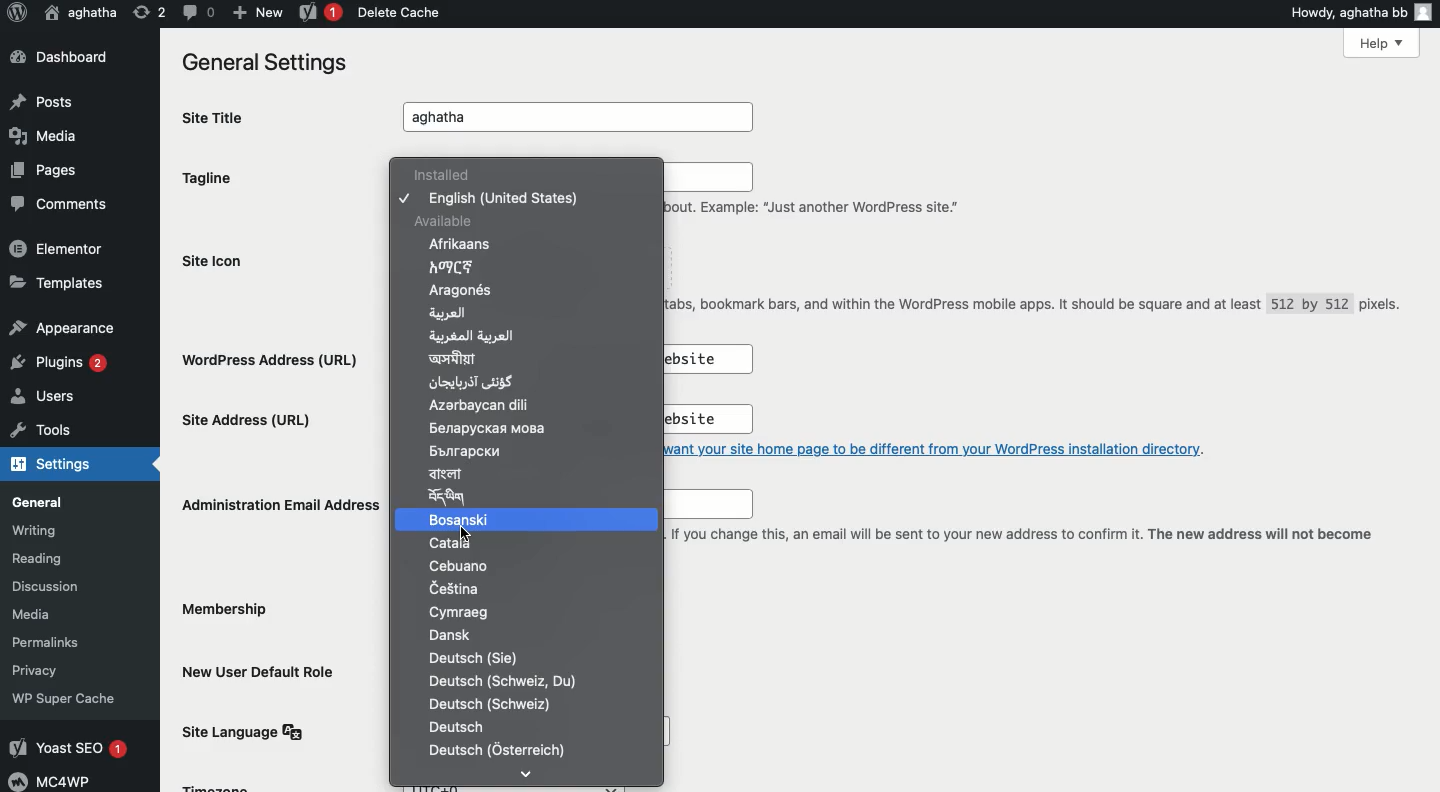 This screenshot has height=792, width=1440. Describe the element at coordinates (695, 420) in the screenshot. I see `http://localhost:8888/aghathawebsite` at that location.